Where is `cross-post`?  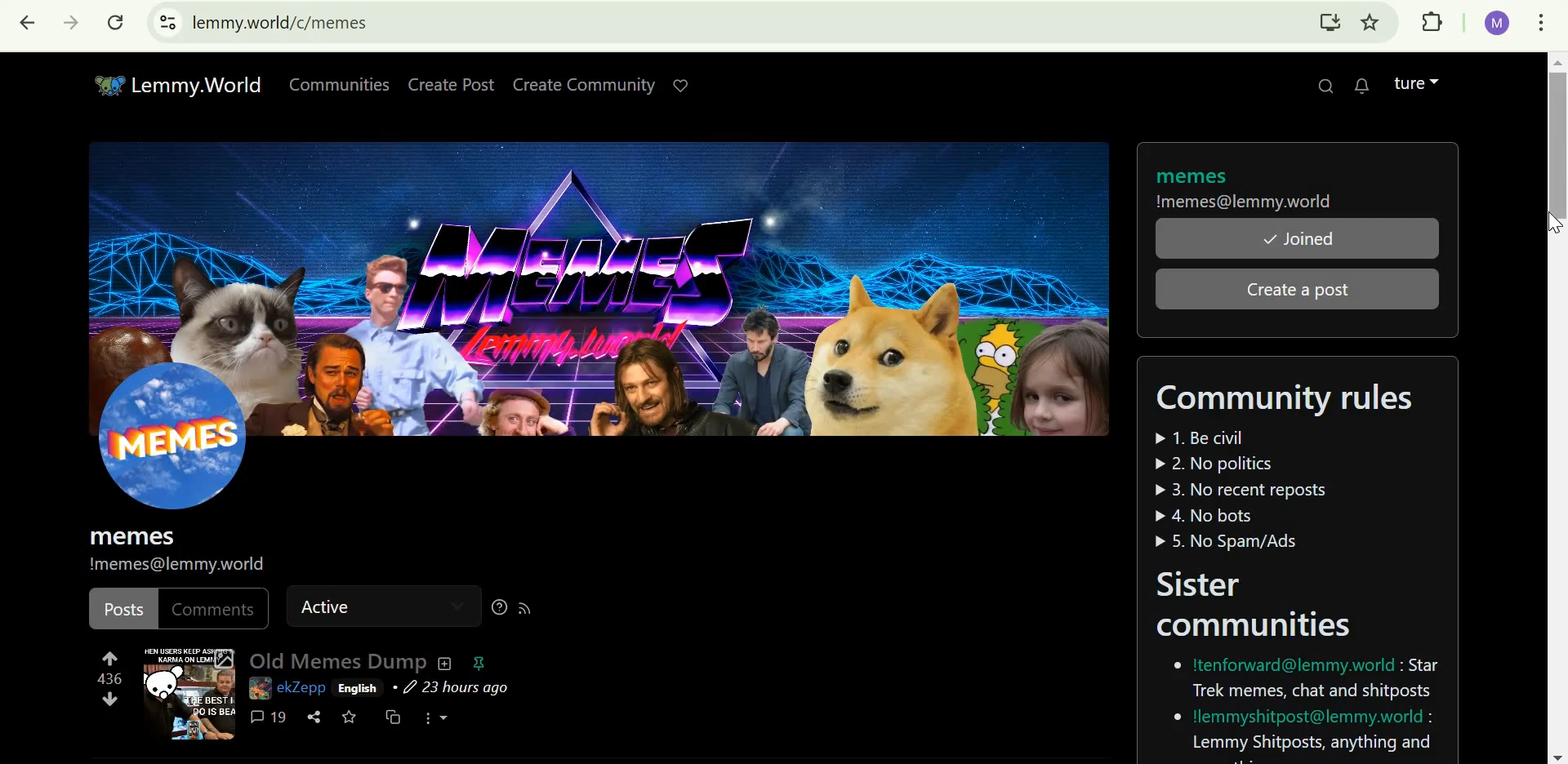 cross-post is located at coordinates (394, 717).